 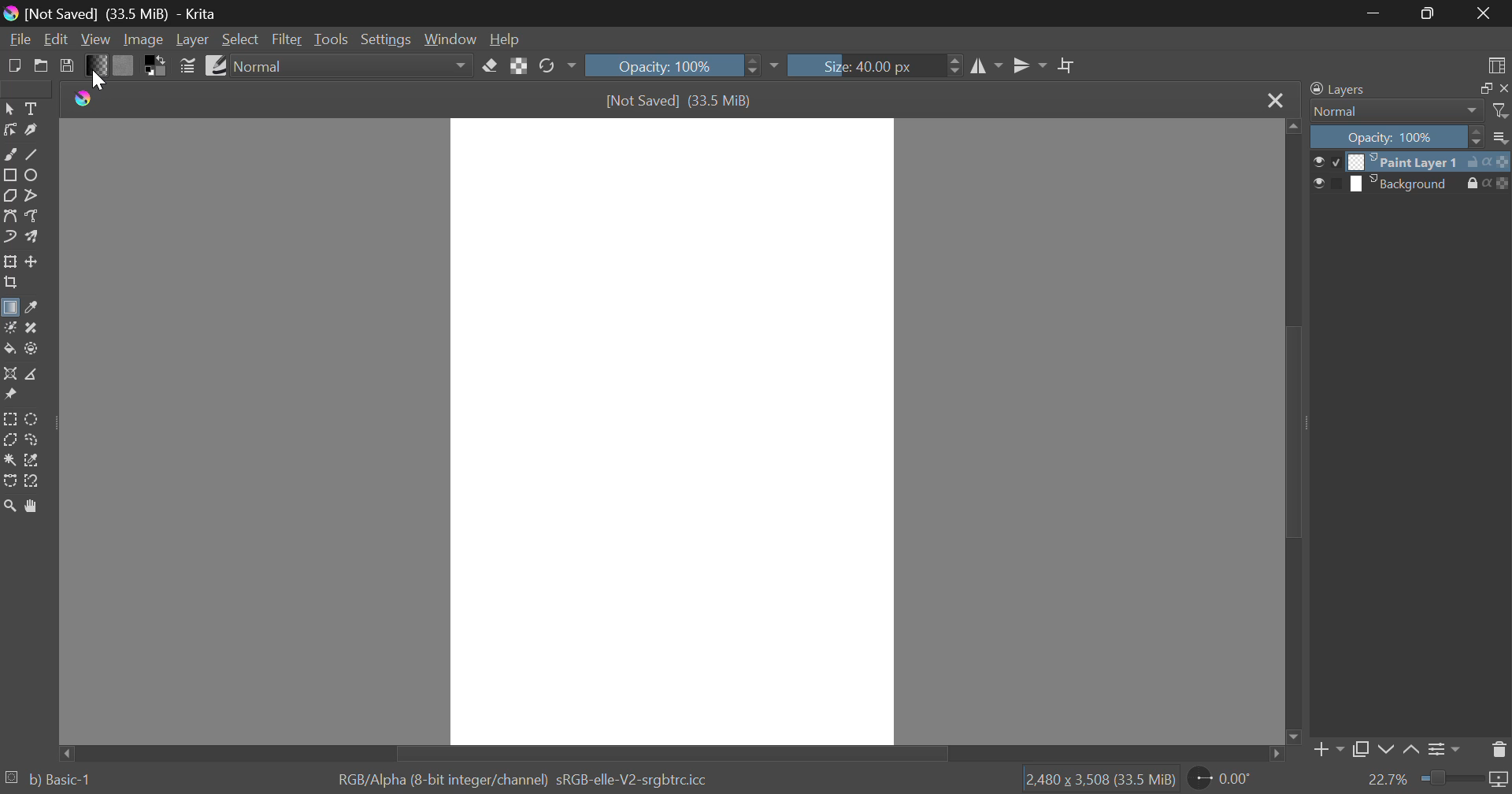 I want to click on Crop Layer, so click(x=9, y=284).